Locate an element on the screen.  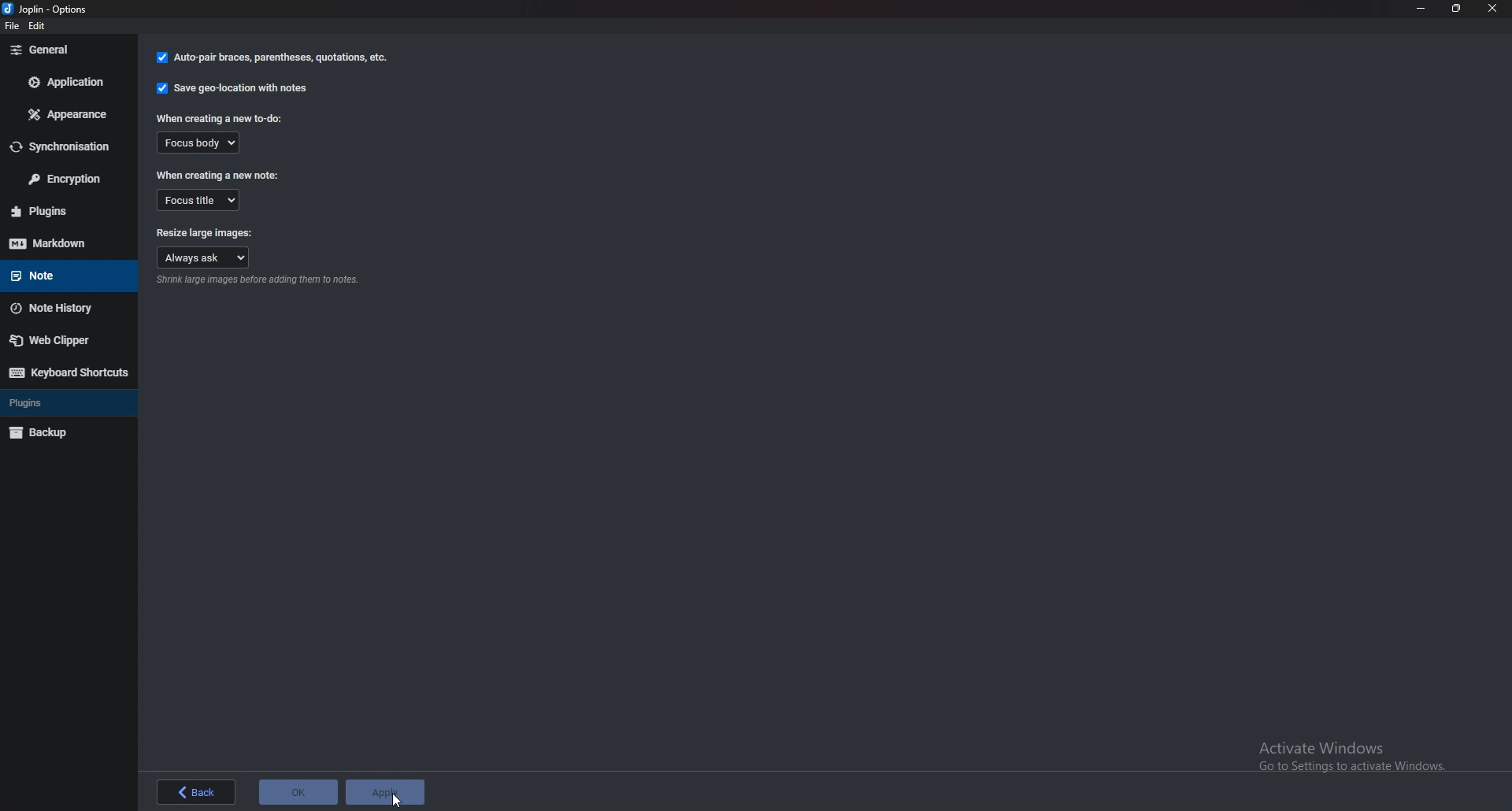
apply is located at coordinates (389, 791).